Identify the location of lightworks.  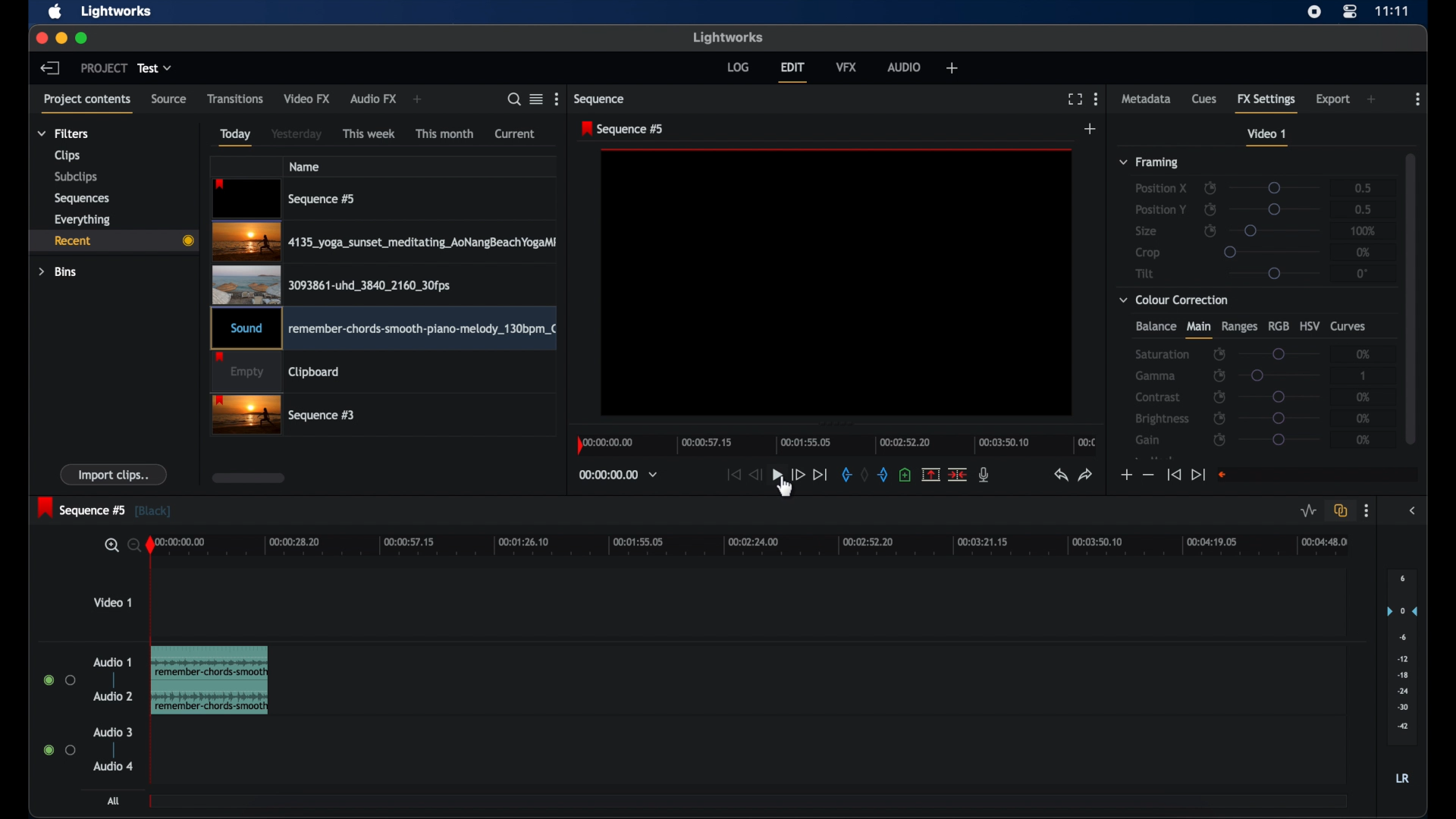
(728, 38).